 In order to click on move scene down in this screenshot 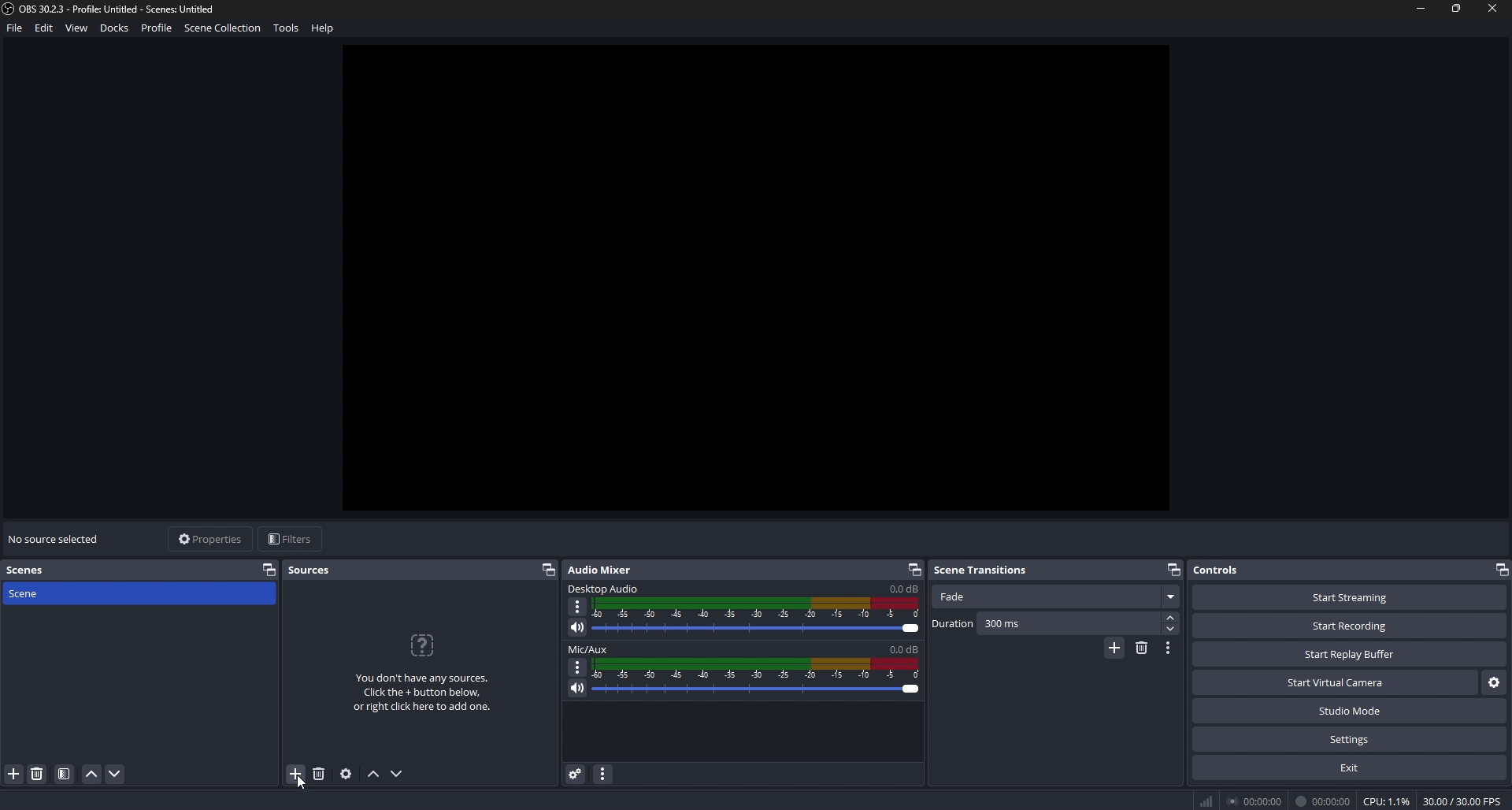, I will do `click(117, 774)`.